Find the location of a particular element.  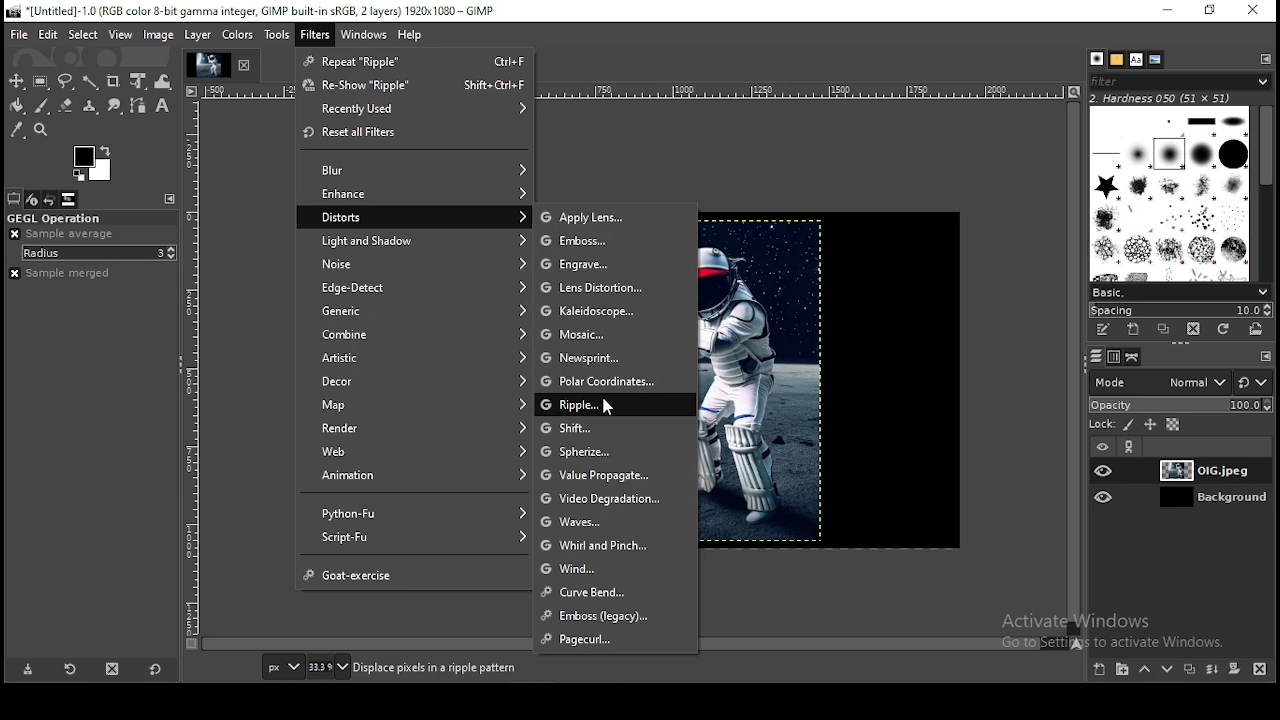

pagecurl is located at coordinates (619, 637).